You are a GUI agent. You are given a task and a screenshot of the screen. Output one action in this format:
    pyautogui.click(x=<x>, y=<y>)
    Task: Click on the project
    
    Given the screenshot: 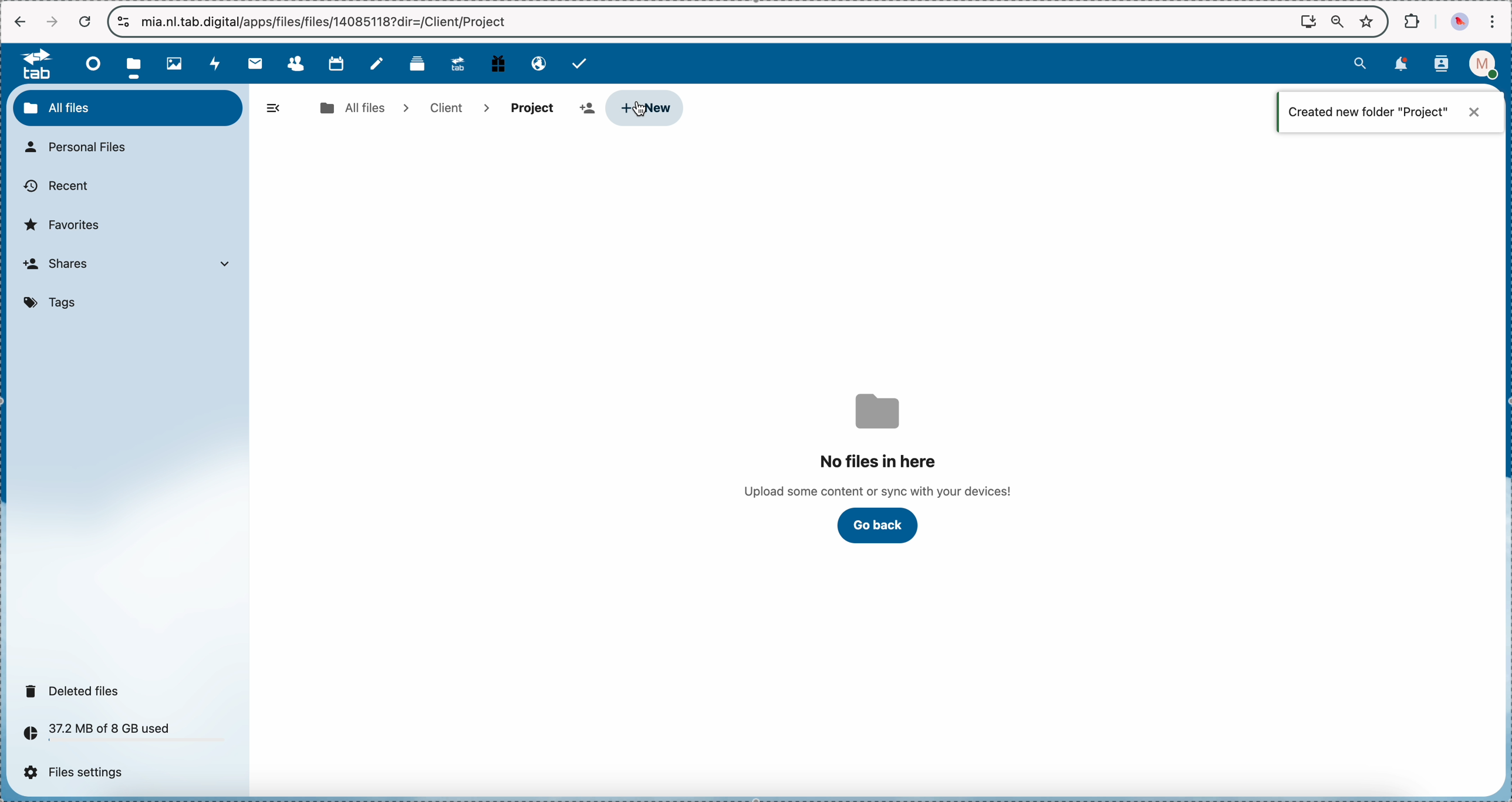 What is the action you would take?
    pyautogui.click(x=533, y=107)
    